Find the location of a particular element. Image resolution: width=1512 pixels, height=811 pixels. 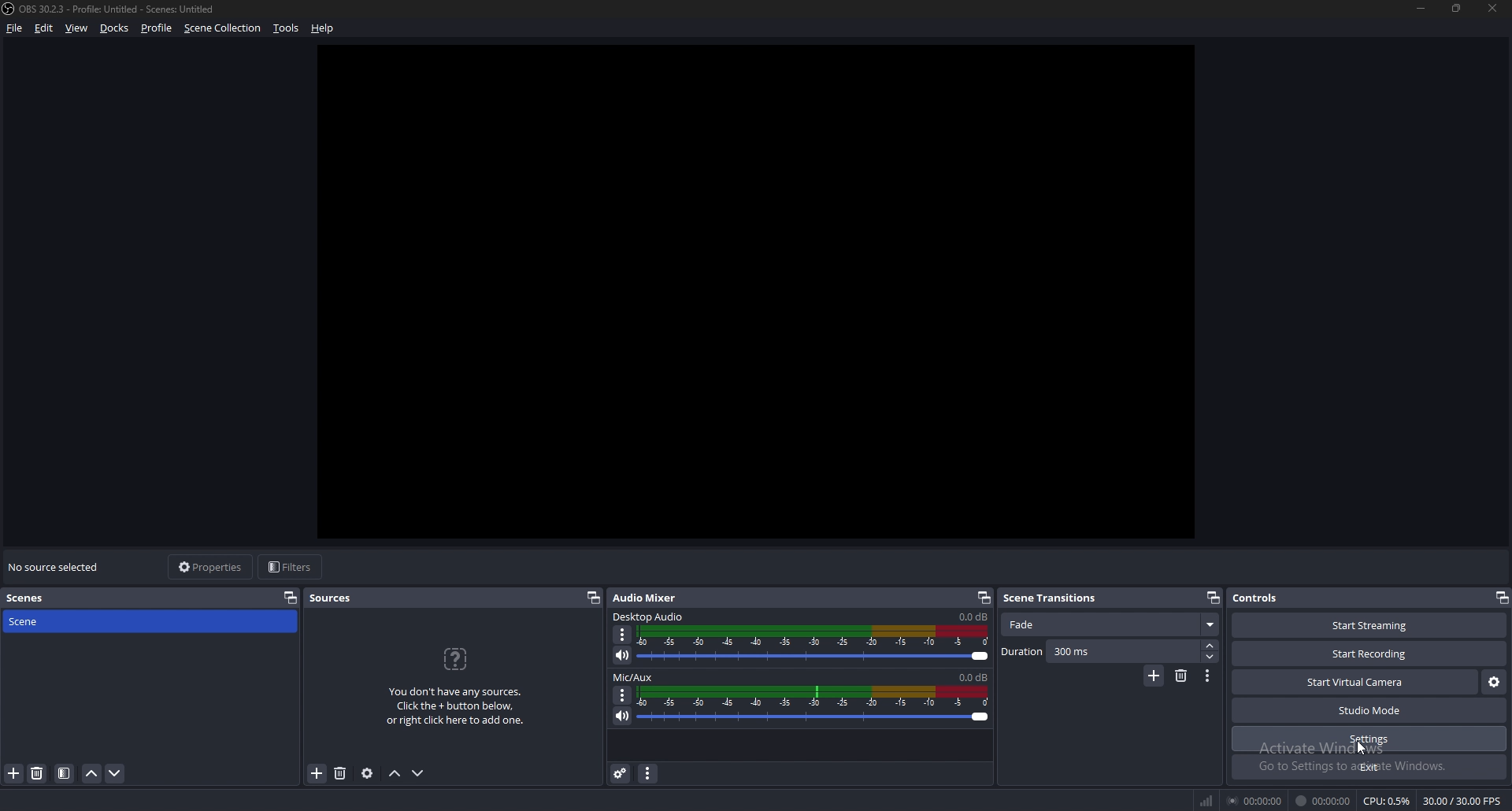

properties is located at coordinates (211, 566).